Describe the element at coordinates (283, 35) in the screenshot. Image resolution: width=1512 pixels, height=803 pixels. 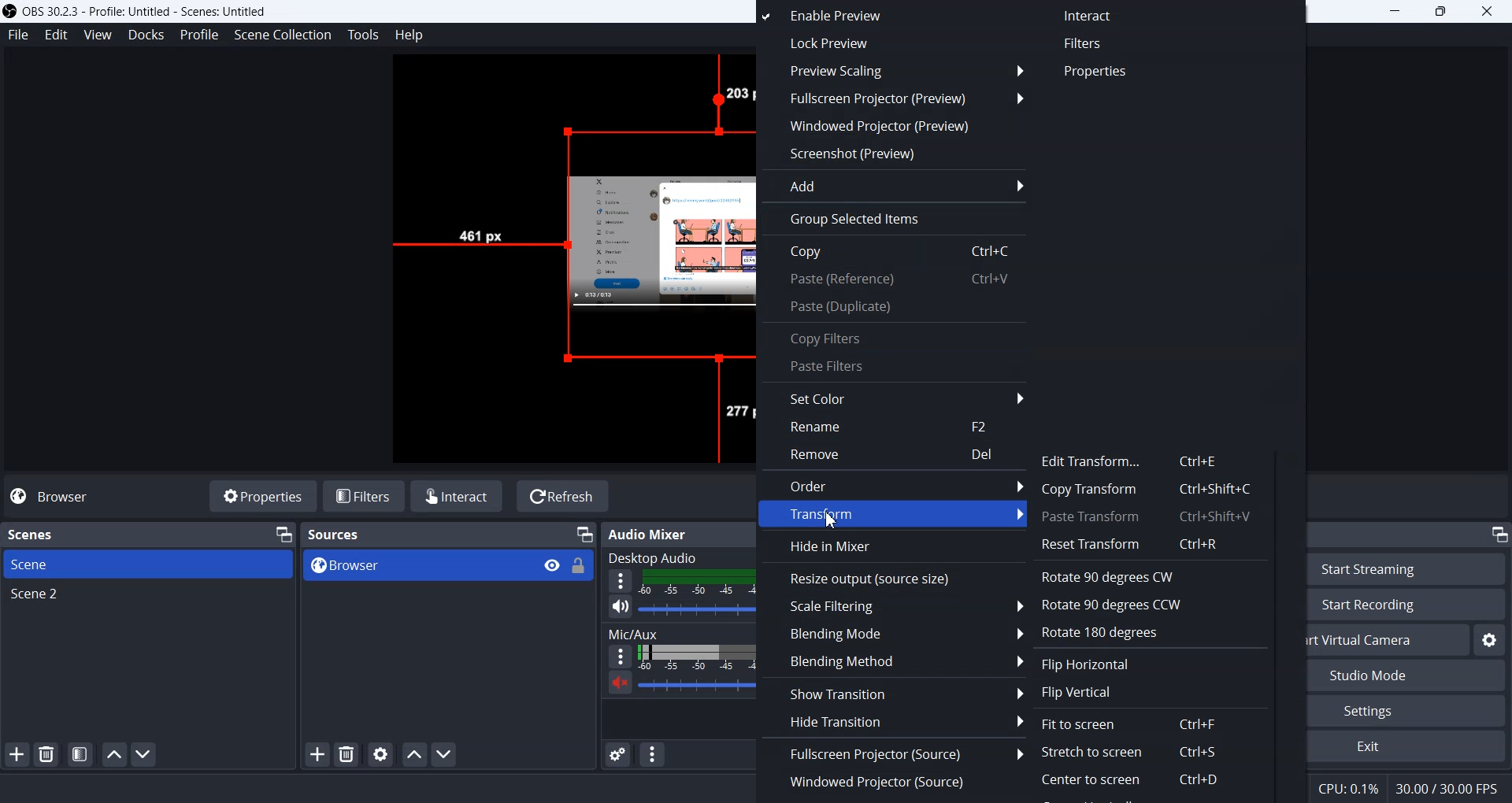
I see `Scene Collection` at that location.